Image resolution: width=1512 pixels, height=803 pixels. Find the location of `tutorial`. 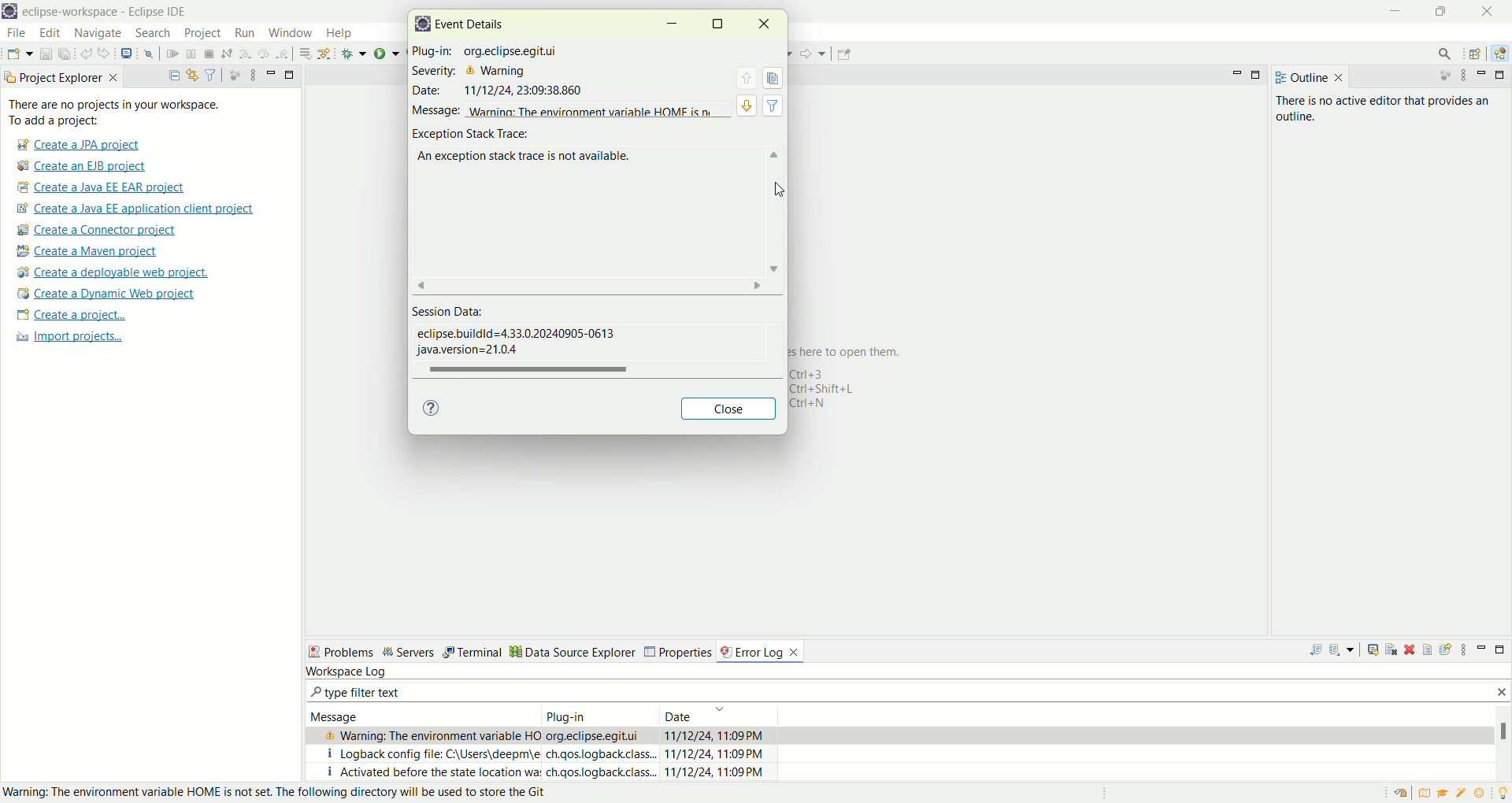

tutorial is located at coordinates (1442, 796).